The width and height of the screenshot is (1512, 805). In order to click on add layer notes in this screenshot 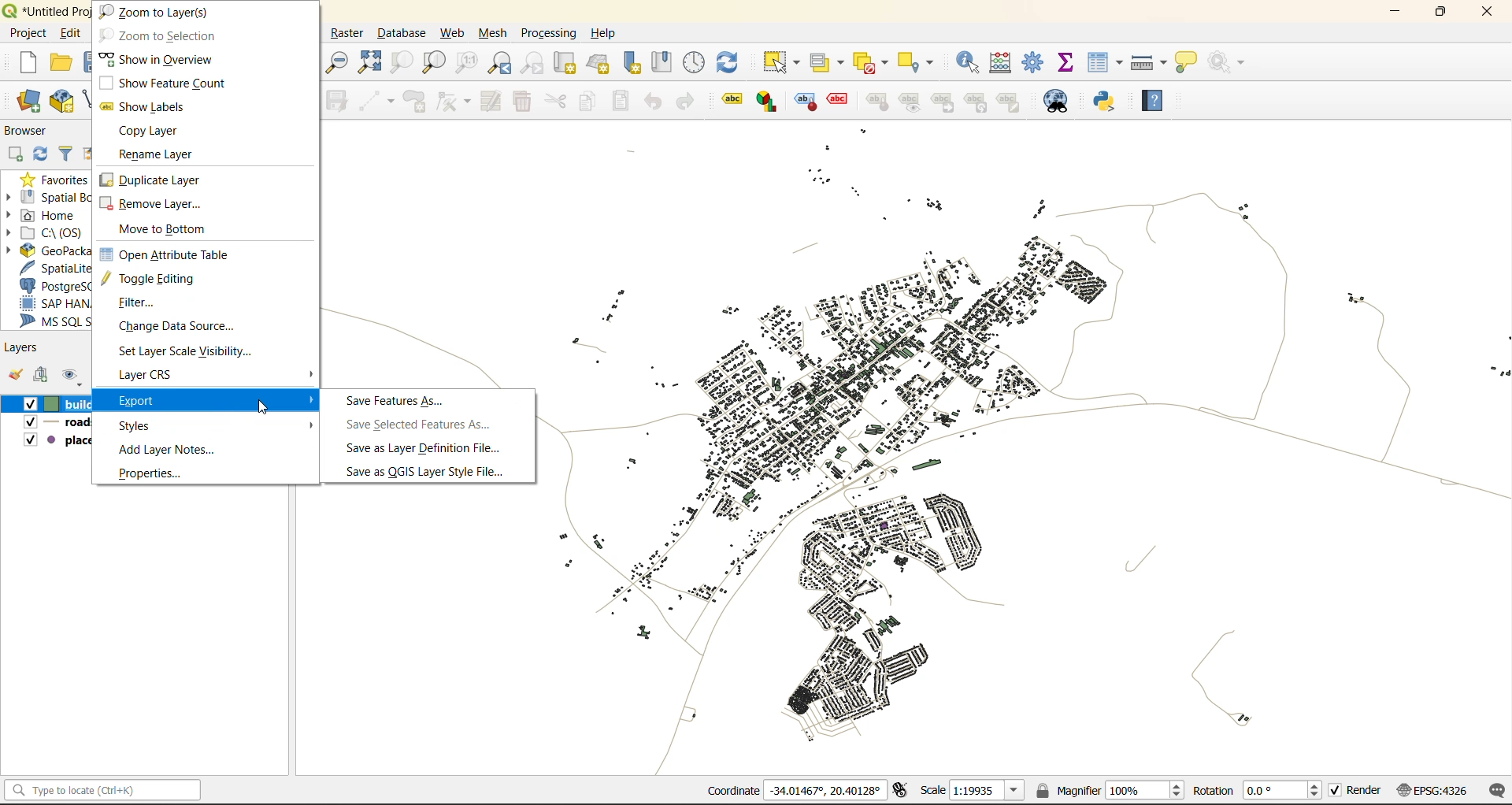, I will do `click(176, 451)`.